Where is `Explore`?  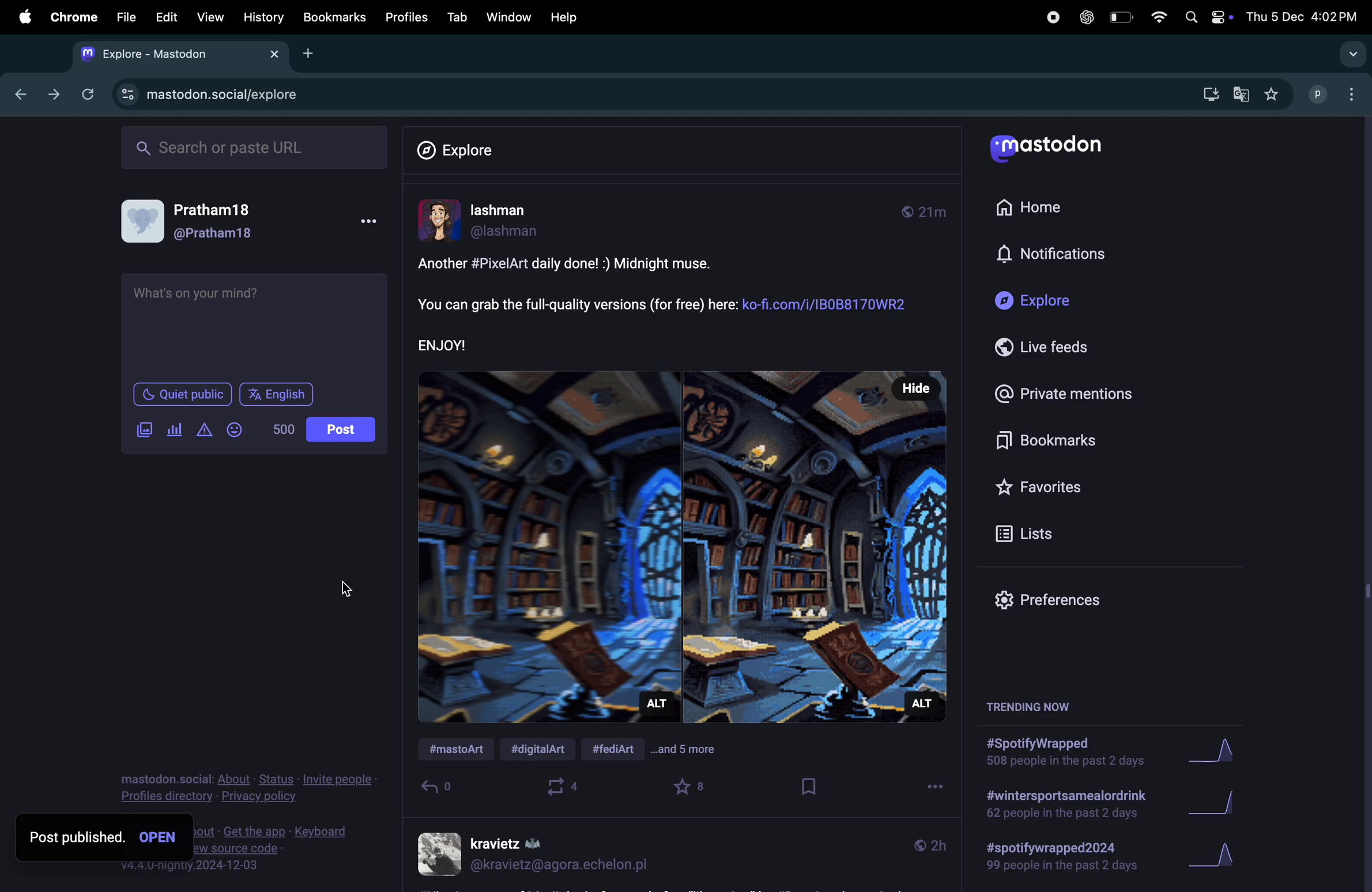 Explore is located at coordinates (1063, 304).